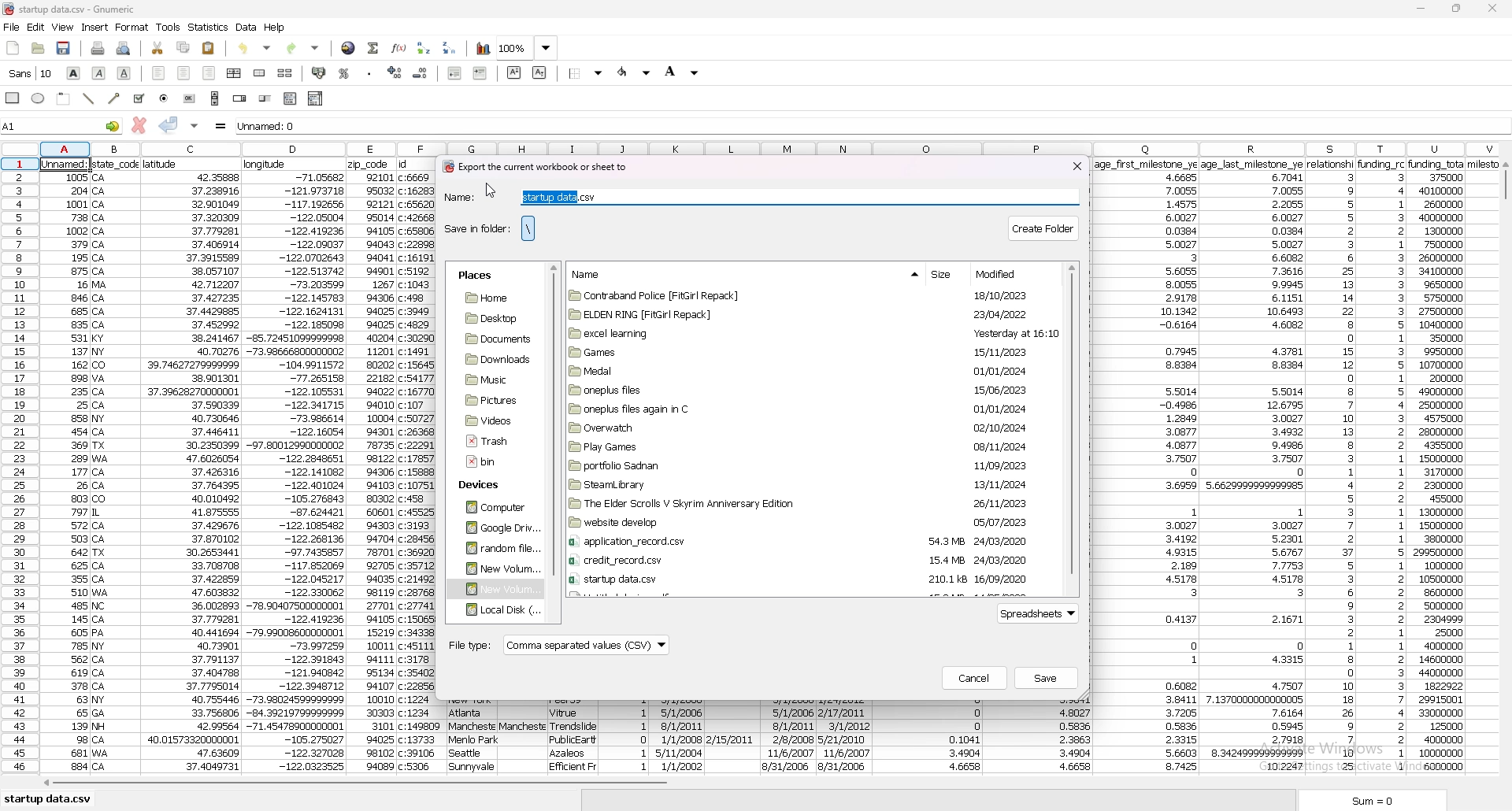  What do you see at coordinates (1450, 465) in the screenshot?
I see `daat` at bounding box center [1450, 465].